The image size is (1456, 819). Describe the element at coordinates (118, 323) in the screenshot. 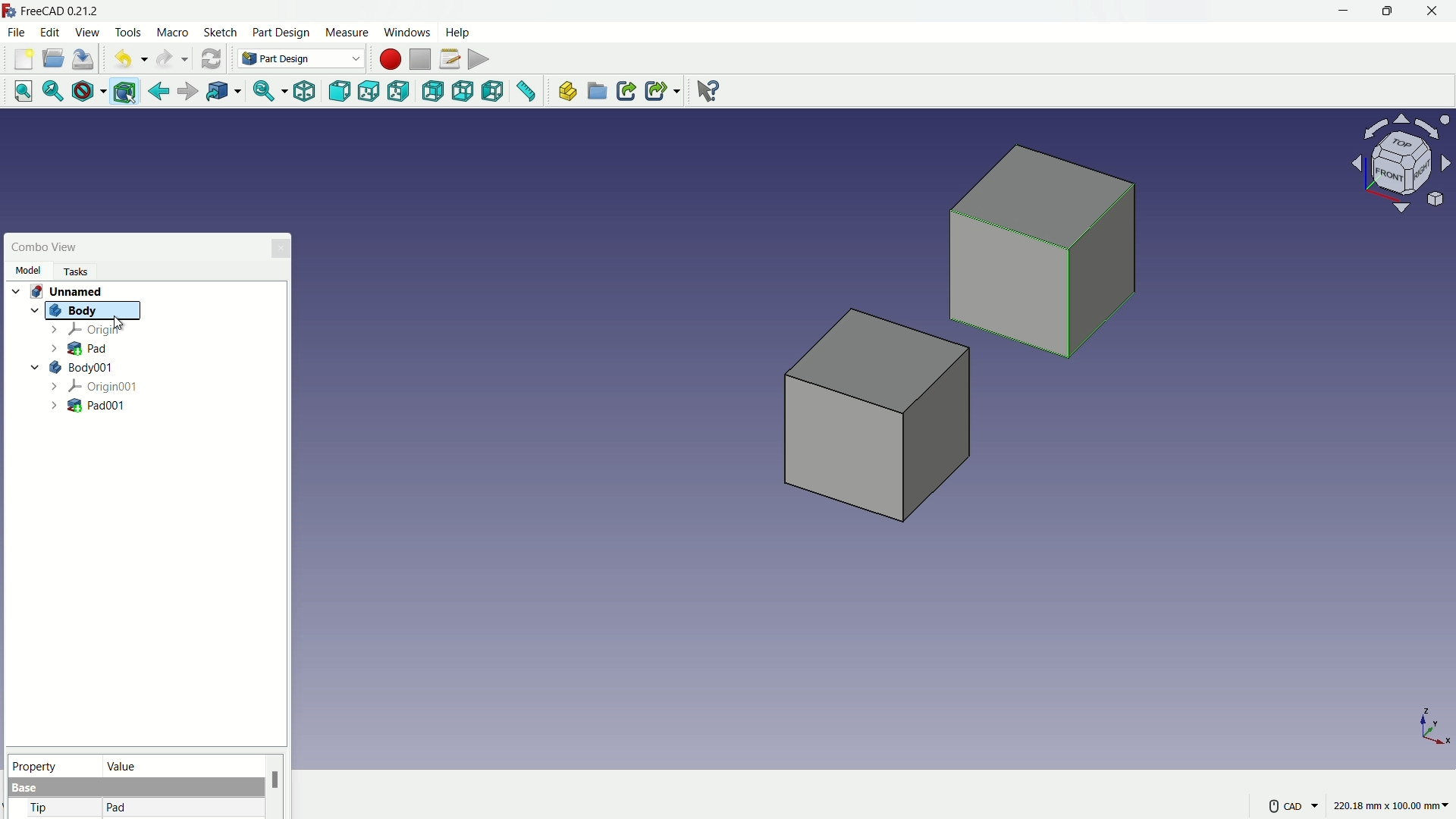

I see `cursor` at that location.